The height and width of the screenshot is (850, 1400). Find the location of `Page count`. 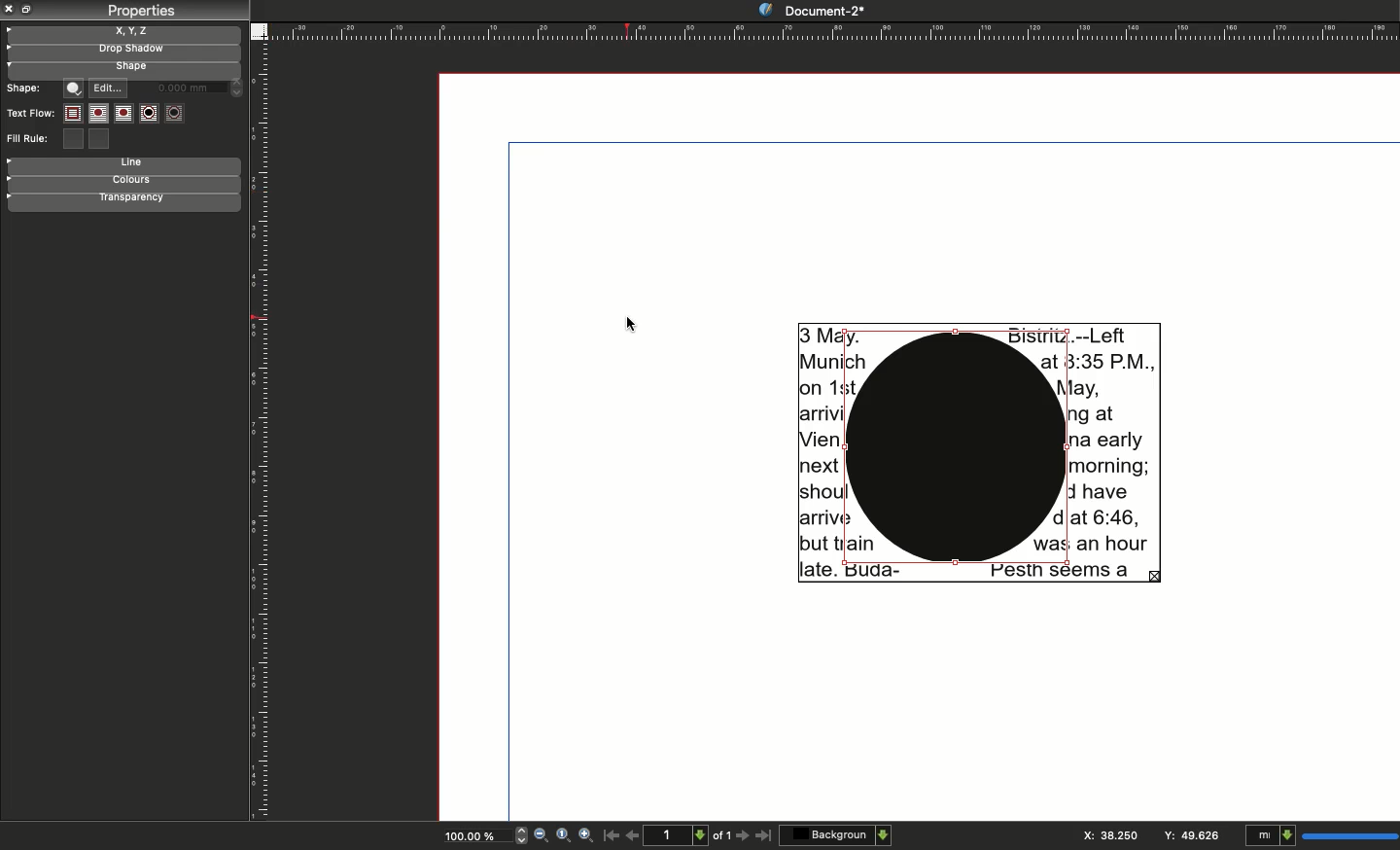

Page count is located at coordinates (689, 834).